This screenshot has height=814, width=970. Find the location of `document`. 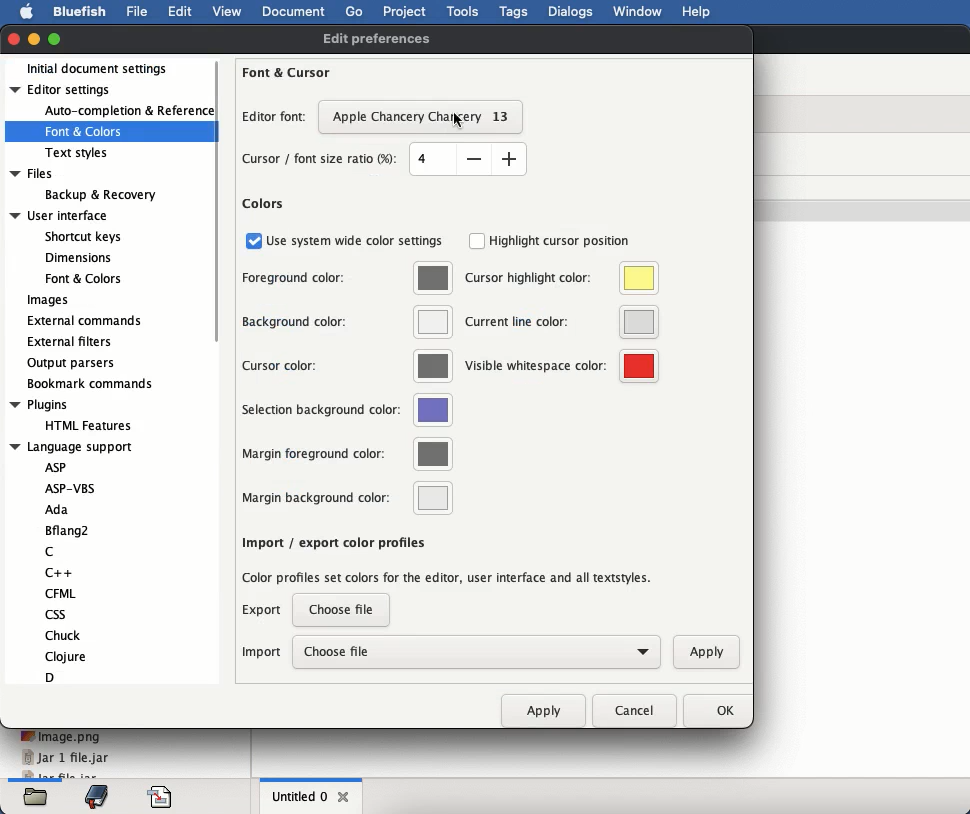

document is located at coordinates (295, 14).